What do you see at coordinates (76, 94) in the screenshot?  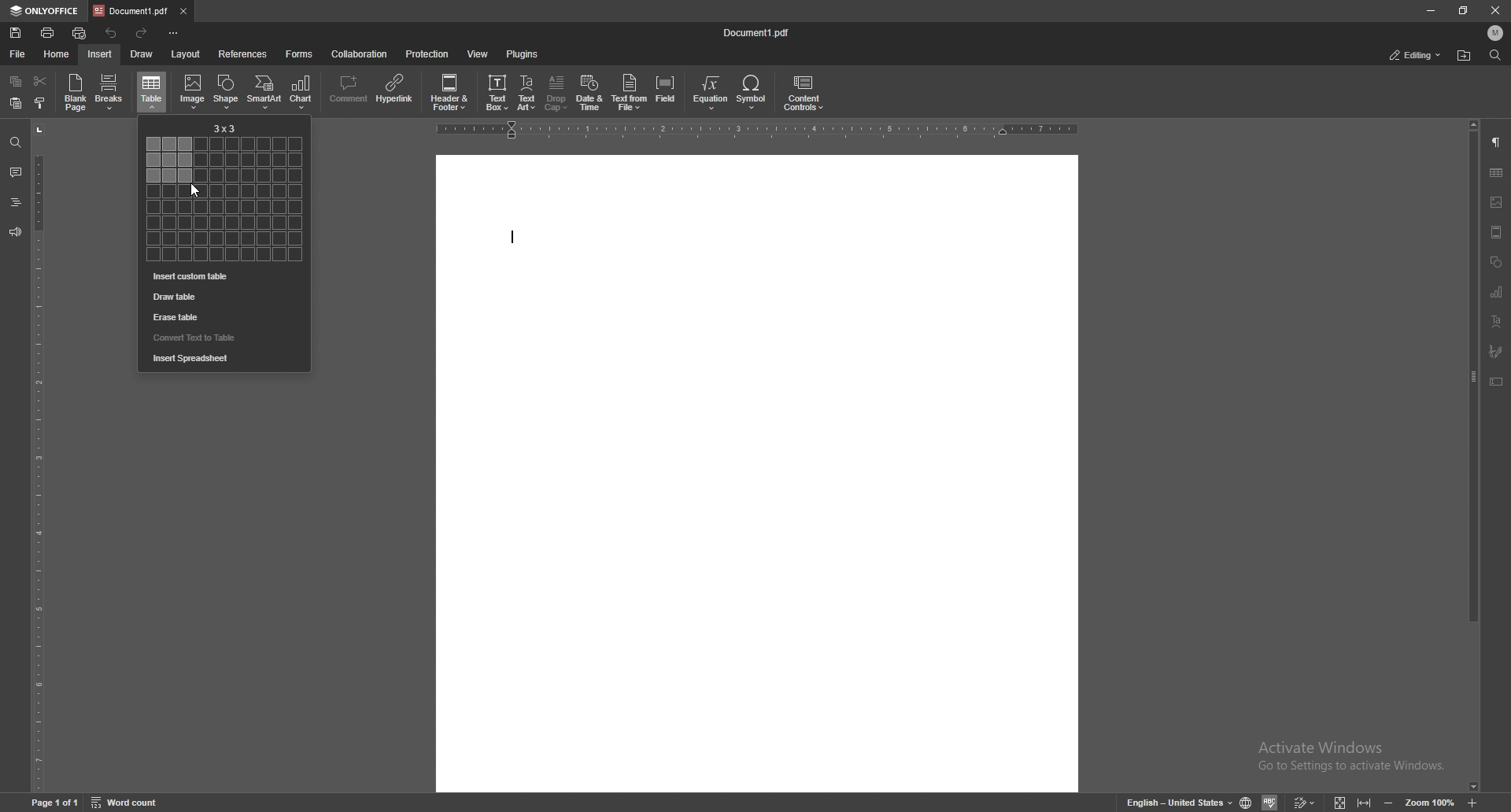 I see `blank page` at bounding box center [76, 94].